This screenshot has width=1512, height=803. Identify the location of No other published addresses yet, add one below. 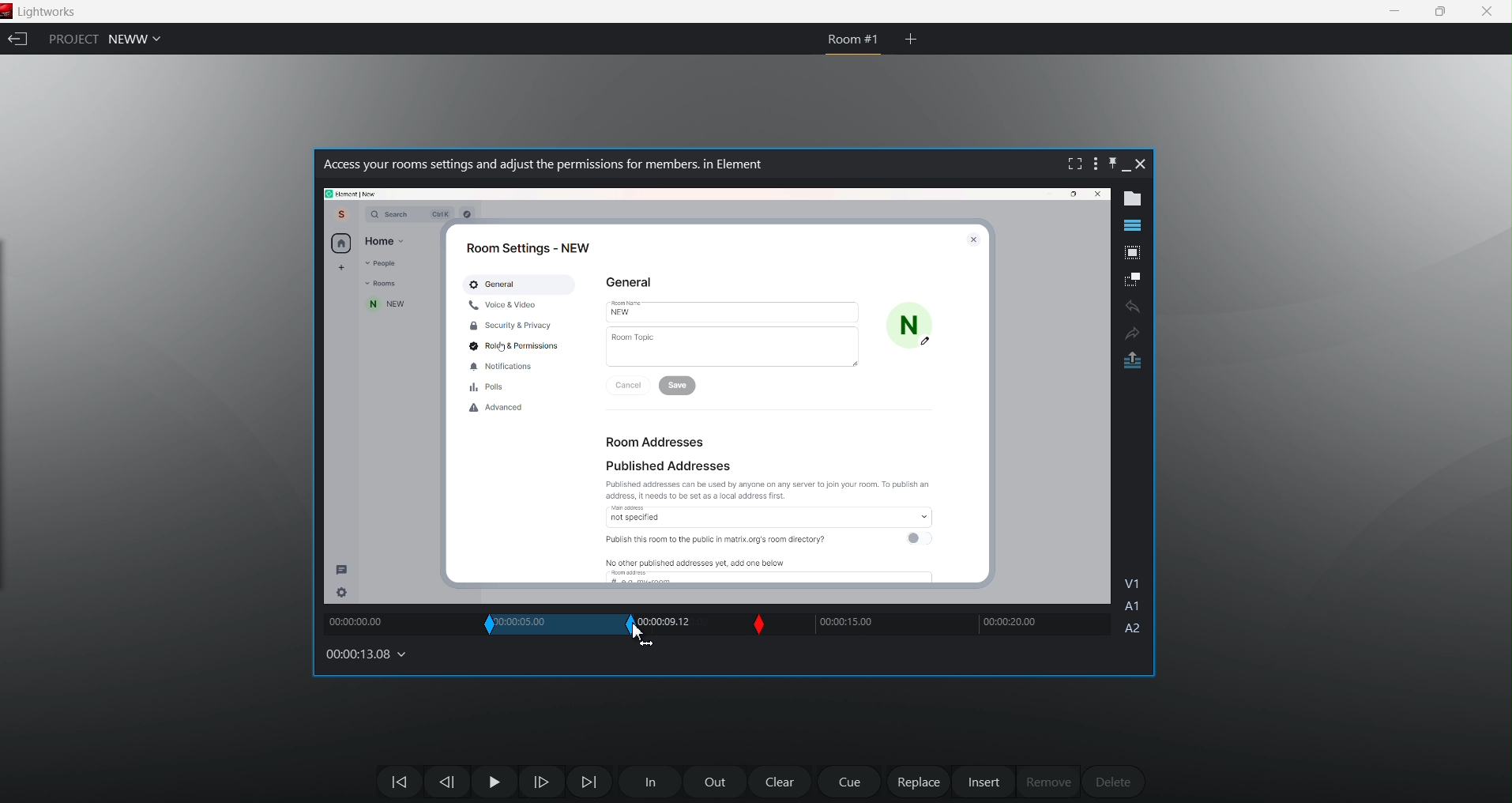
(698, 564).